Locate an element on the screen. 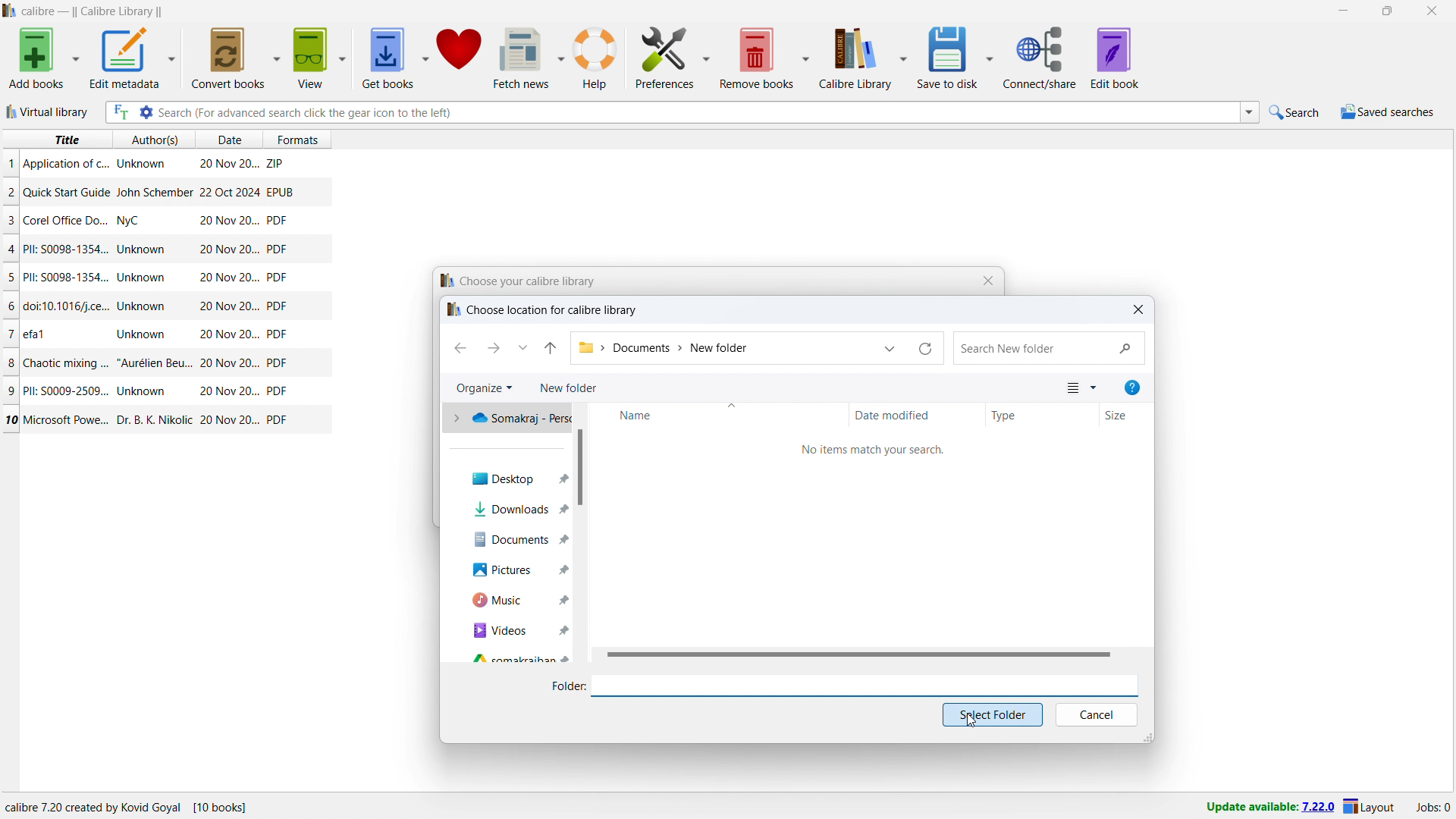 The image size is (1456, 819). Videos is located at coordinates (511, 632).